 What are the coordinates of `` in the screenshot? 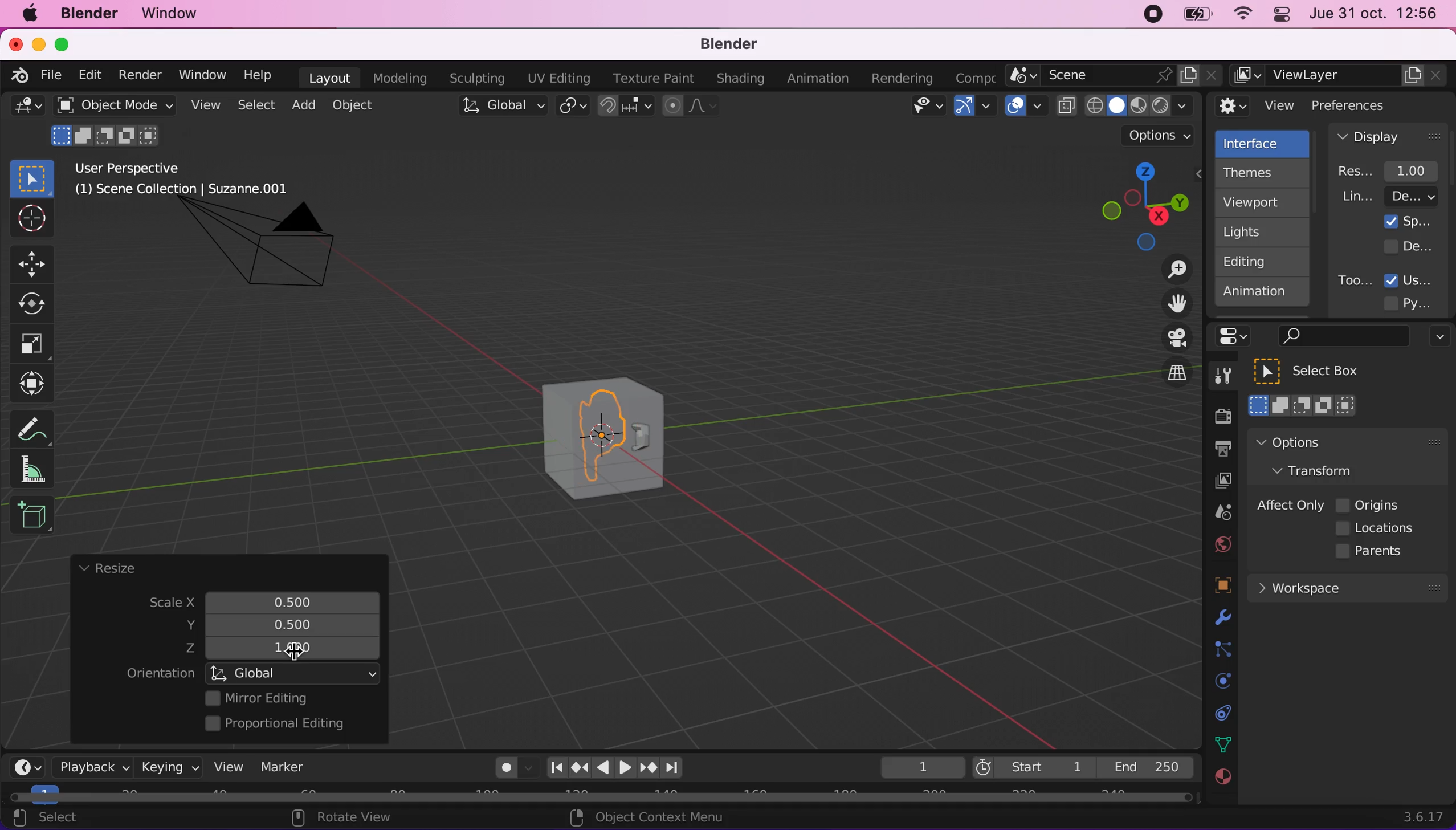 It's located at (32, 344).